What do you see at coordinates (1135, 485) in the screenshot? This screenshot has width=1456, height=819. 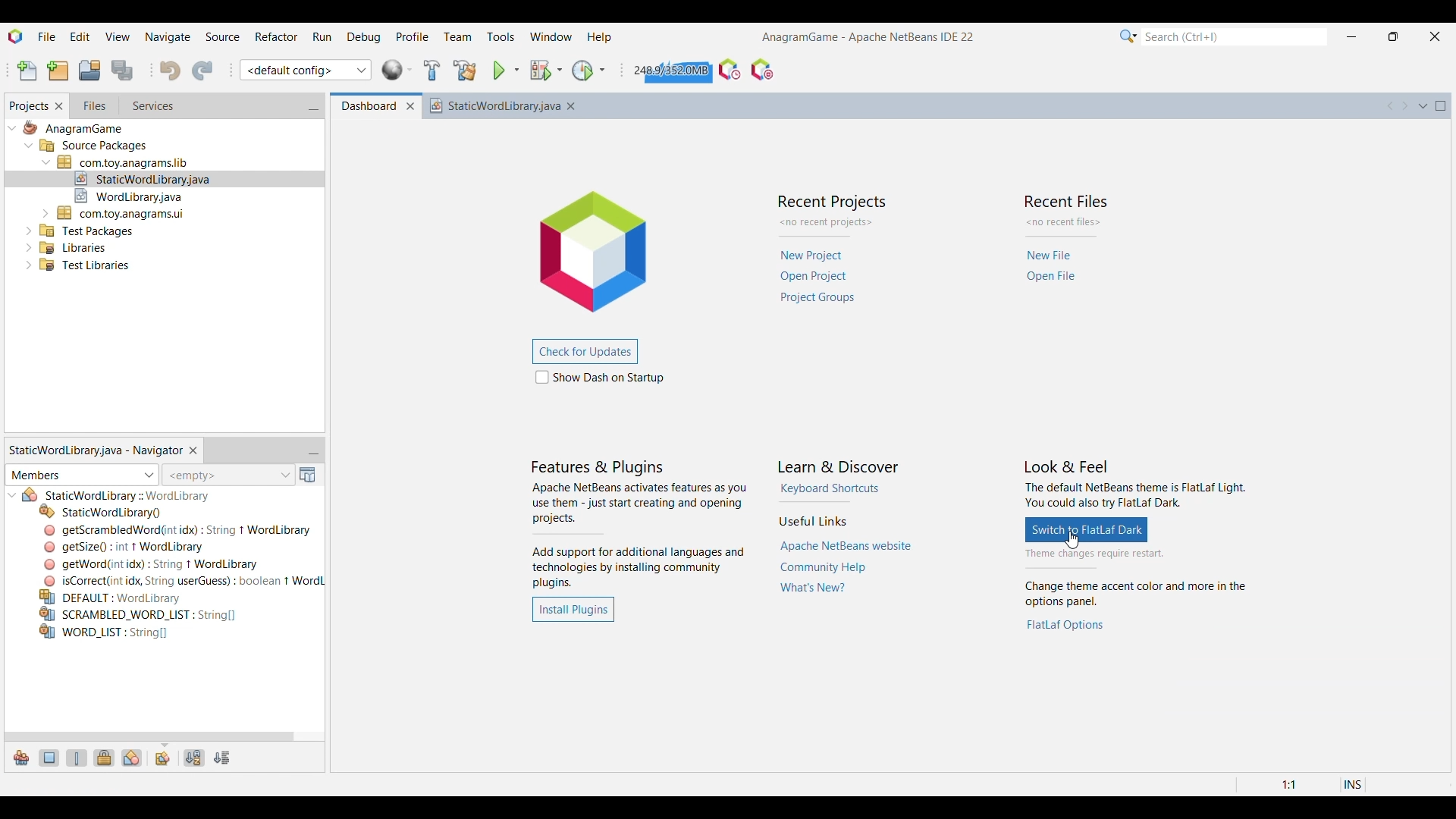 I see `Title and description of look and feel` at bounding box center [1135, 485].